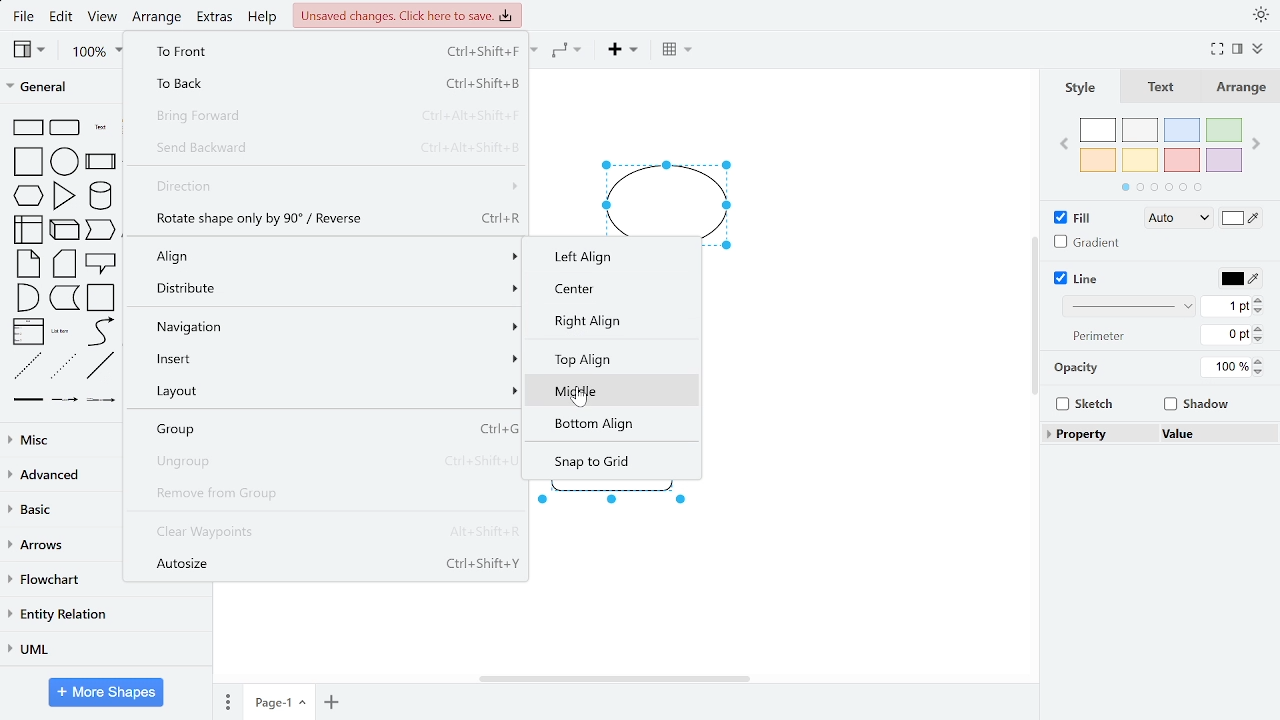 This screenshot has width=1280, height=720. I want to click on Connector with label, so click(65, 403).